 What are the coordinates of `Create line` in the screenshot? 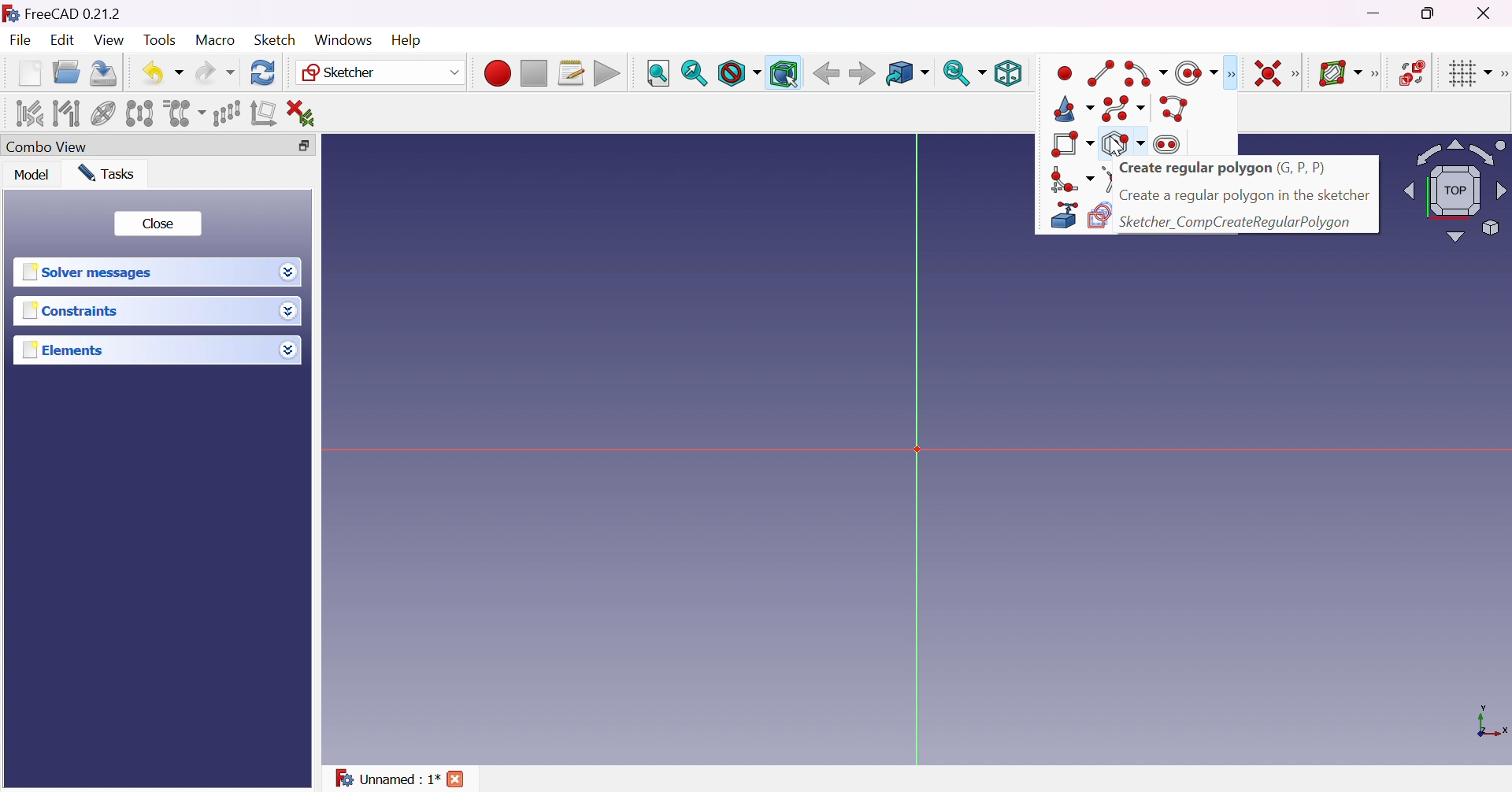 It's located at (1102, 72).